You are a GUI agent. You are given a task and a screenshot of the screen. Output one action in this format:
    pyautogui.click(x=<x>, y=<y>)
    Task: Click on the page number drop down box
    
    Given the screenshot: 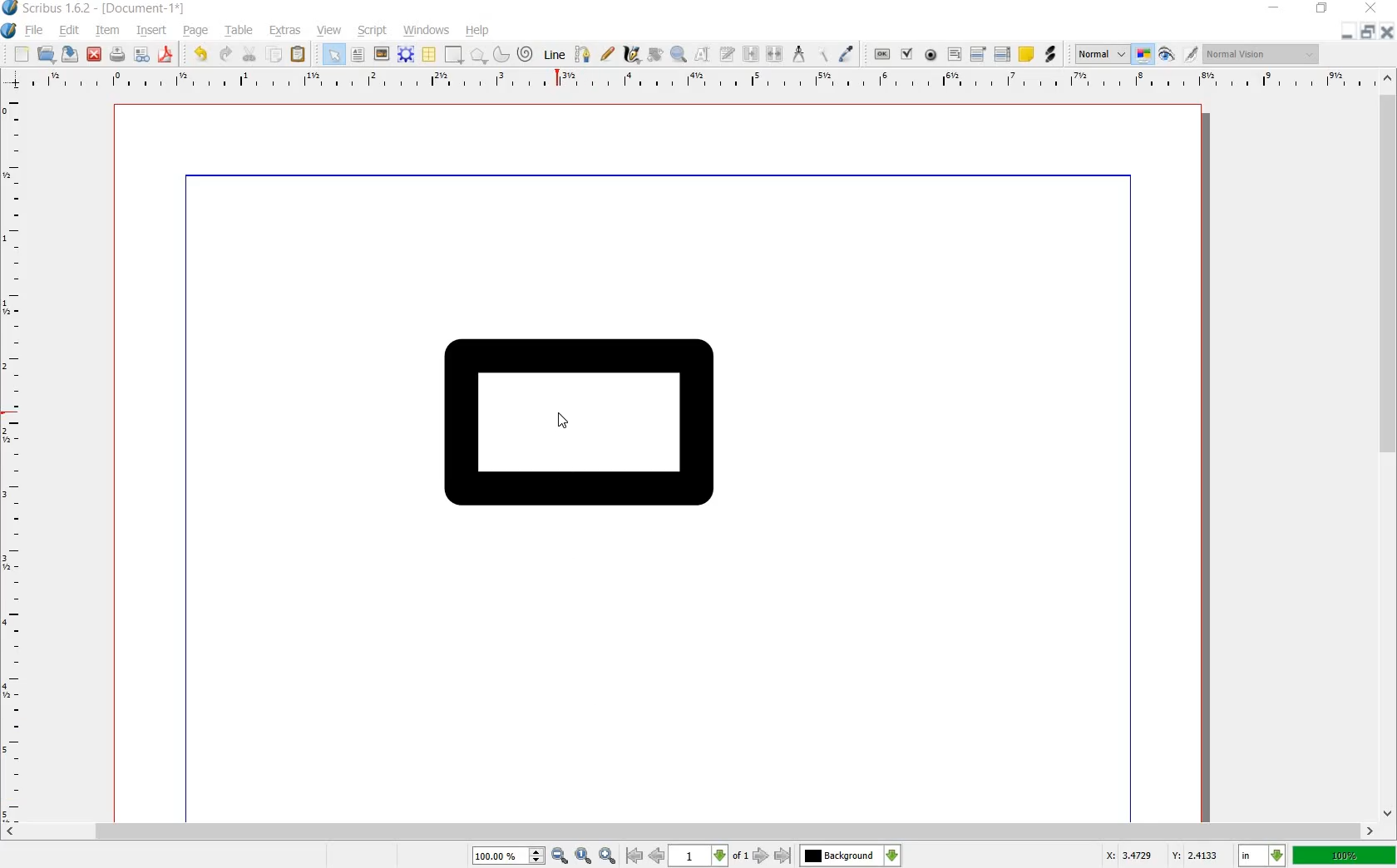 What is the action you would take?
    pyautogui.click(x=708, y=854)
    